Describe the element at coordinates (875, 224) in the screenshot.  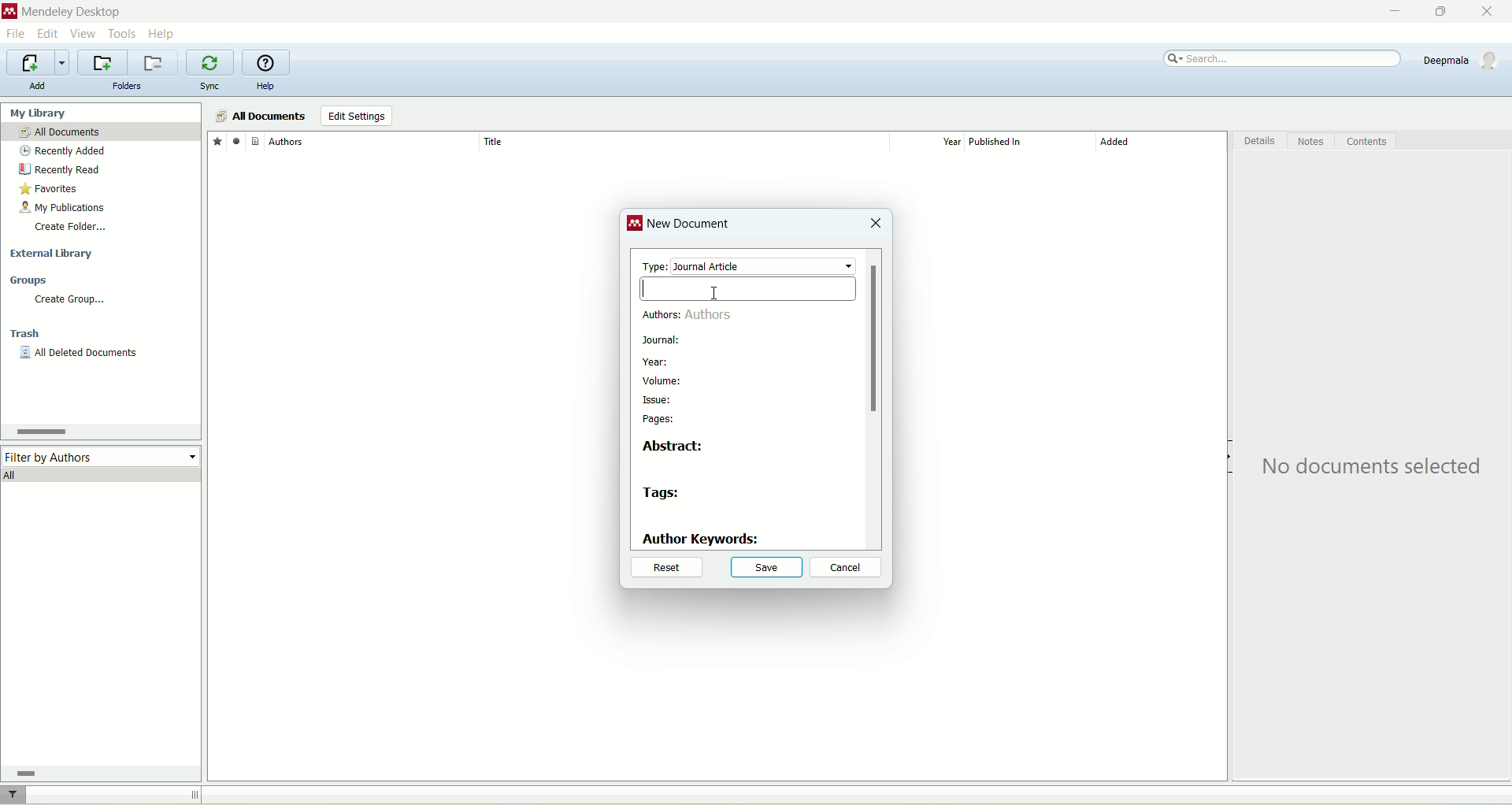
I see `close` at that location.